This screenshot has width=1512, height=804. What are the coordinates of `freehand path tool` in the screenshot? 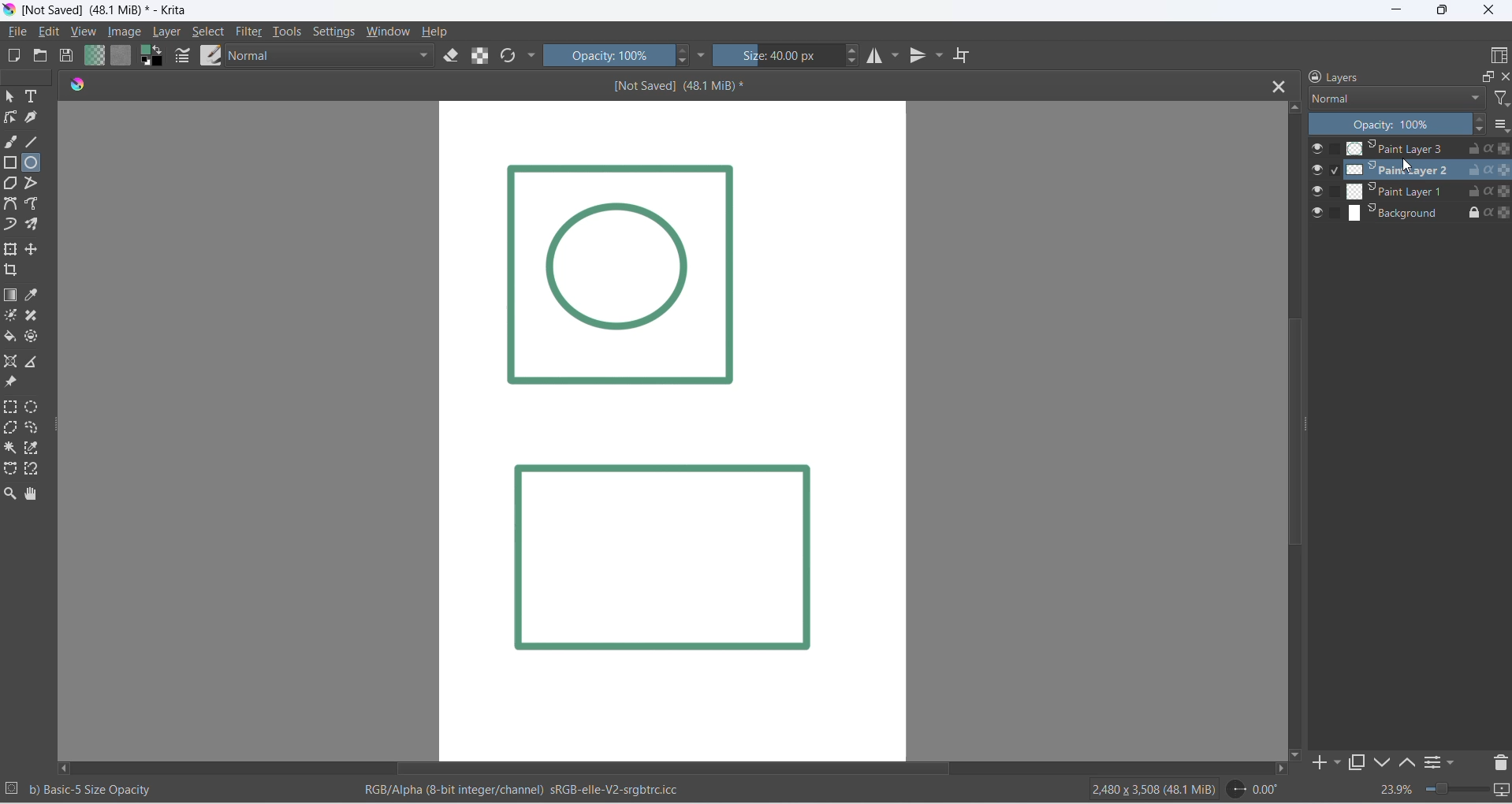 It's located at (37, 204).